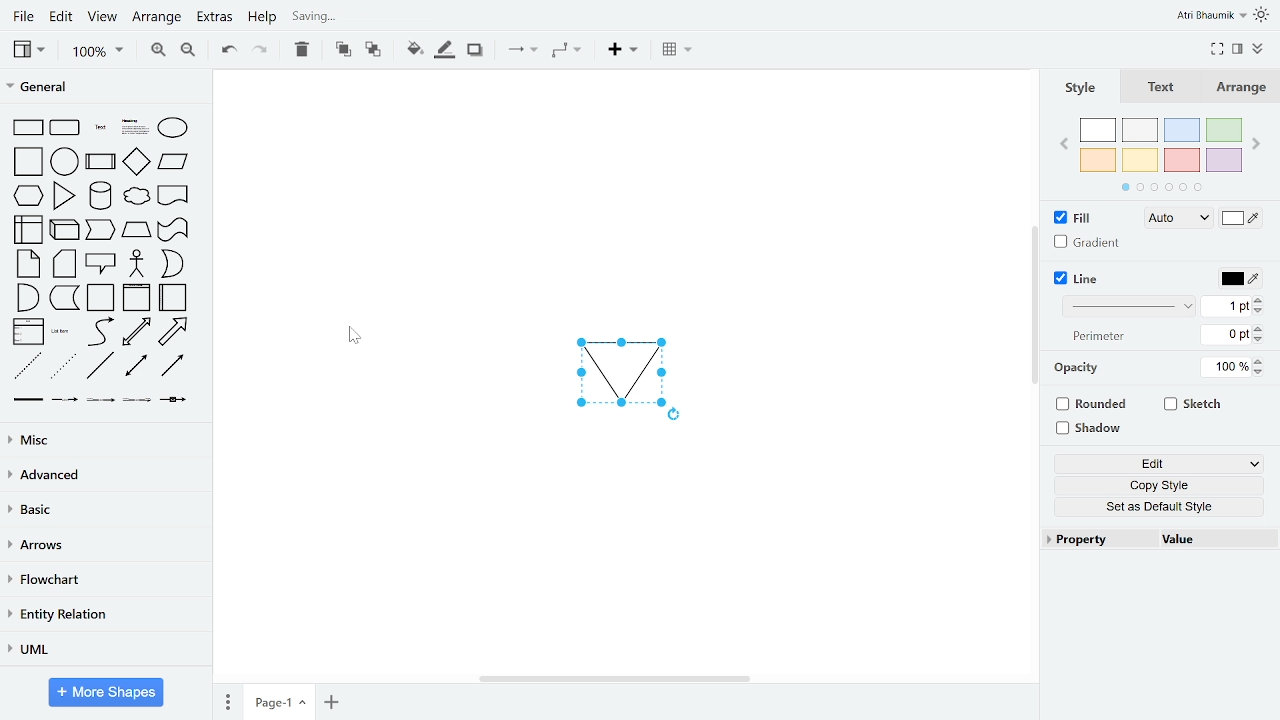 Image resolution: width=1280 pixels, height=720 pixels. What do you see at coordinates (614, 679) in the screenshot?
I see `horizontal scrollbar` at bounding box center [614, 679].